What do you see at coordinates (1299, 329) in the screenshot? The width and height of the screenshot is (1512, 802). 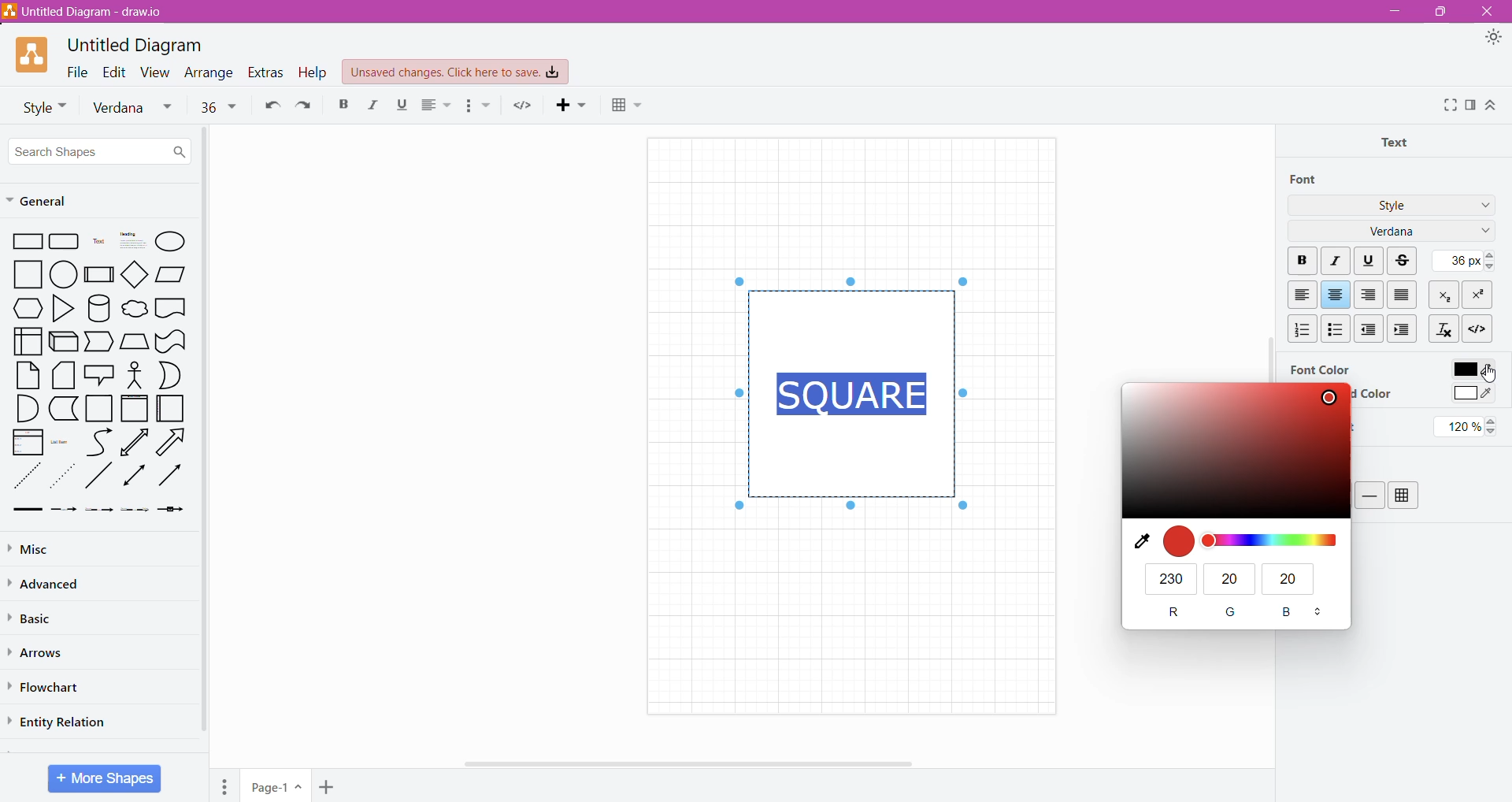 I see `Numbered List` at bounding box center [1299, 329].